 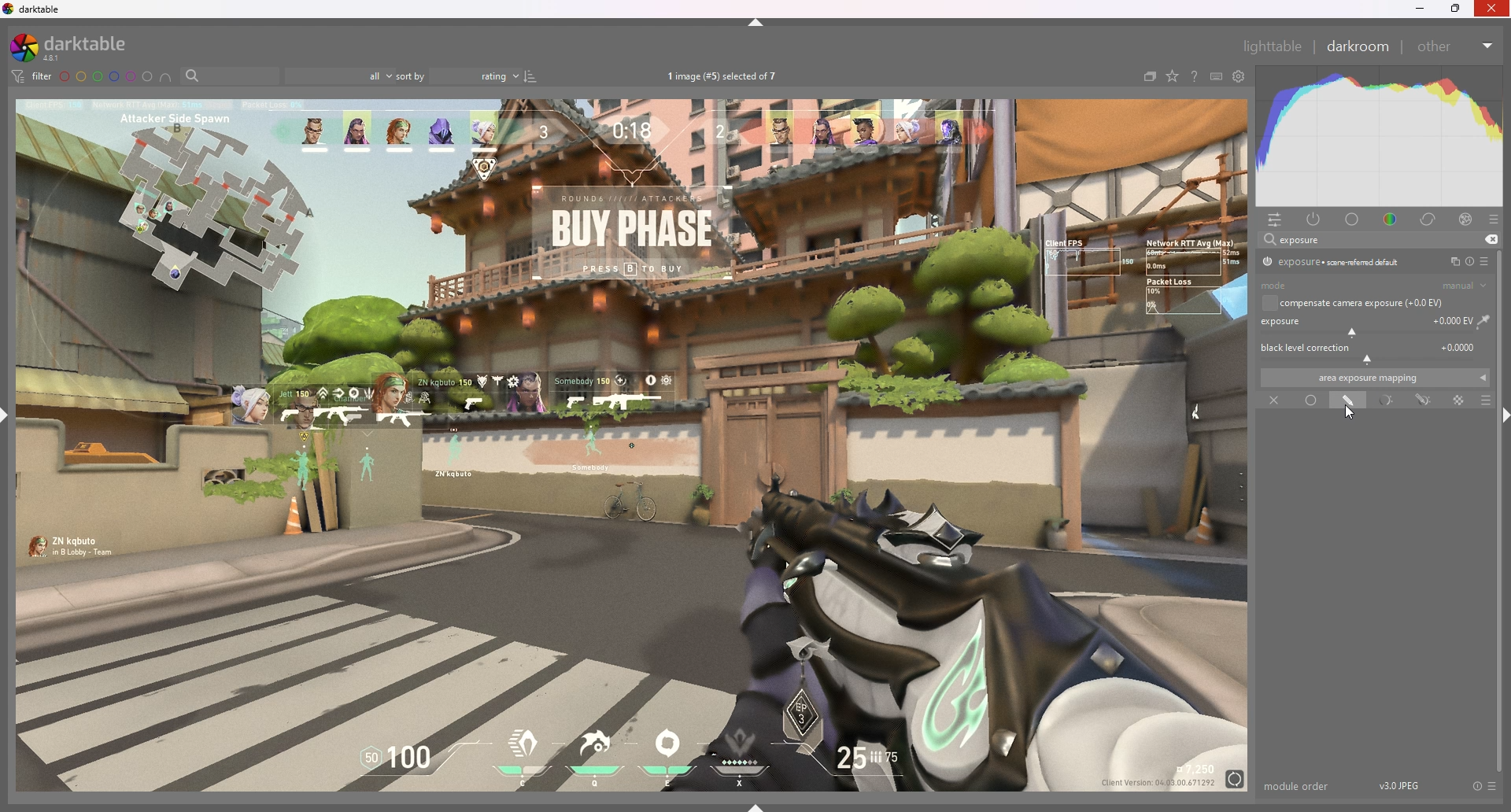 I want to click on reverse sort, so click(x=531, y=76).